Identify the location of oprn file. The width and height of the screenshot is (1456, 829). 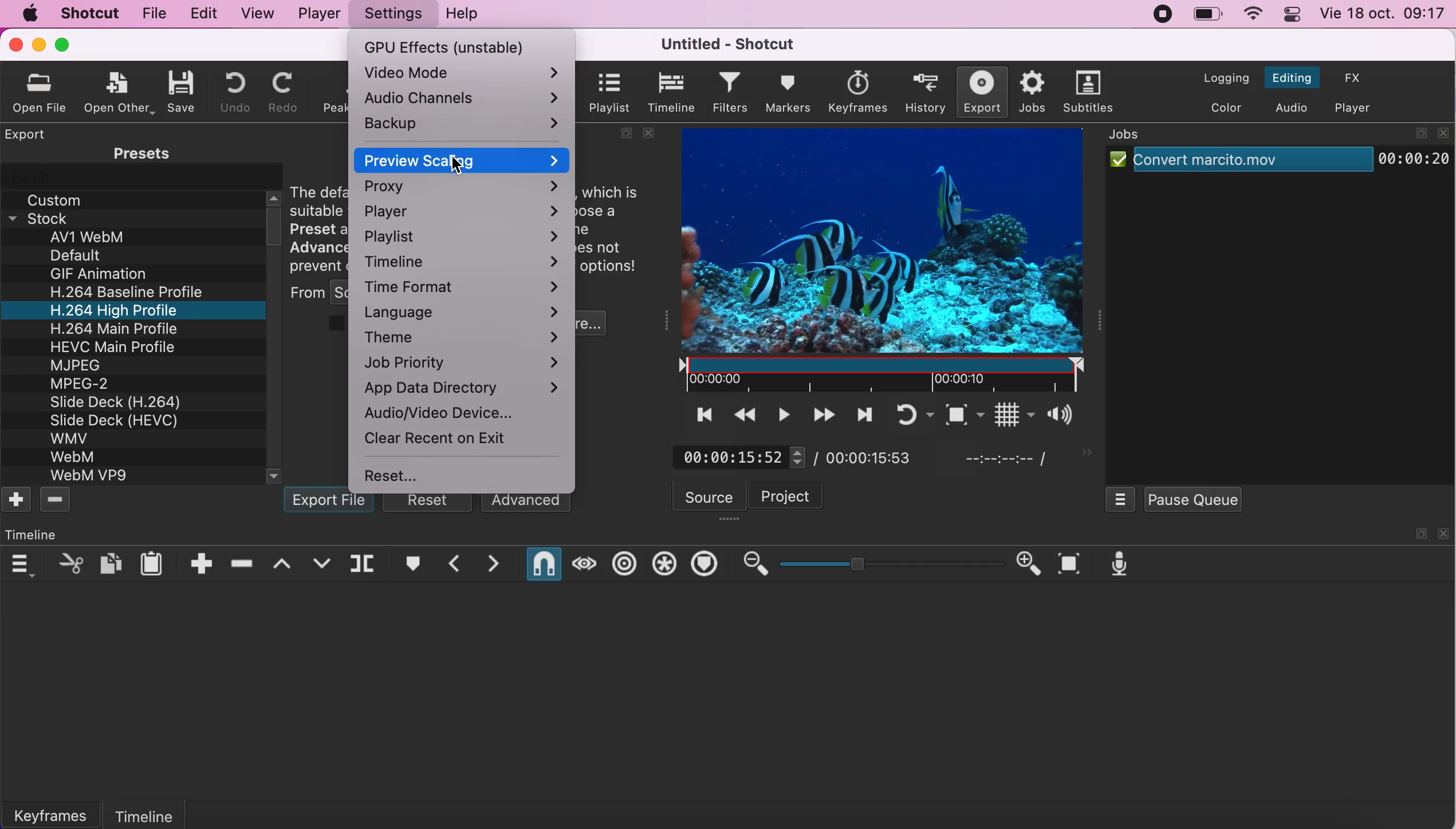
(45, 92).